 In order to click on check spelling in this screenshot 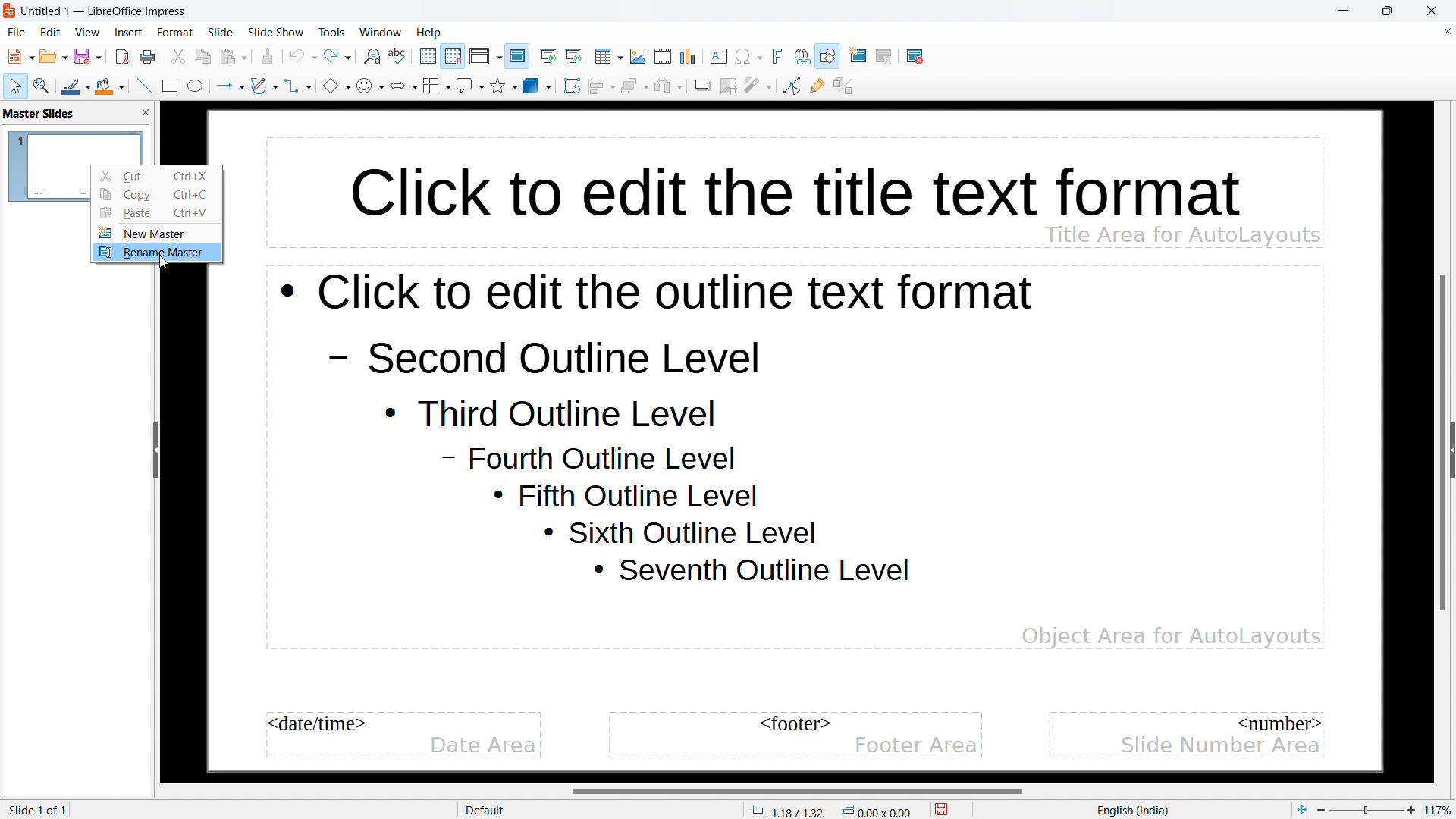, I will do `click(400, 57)`.